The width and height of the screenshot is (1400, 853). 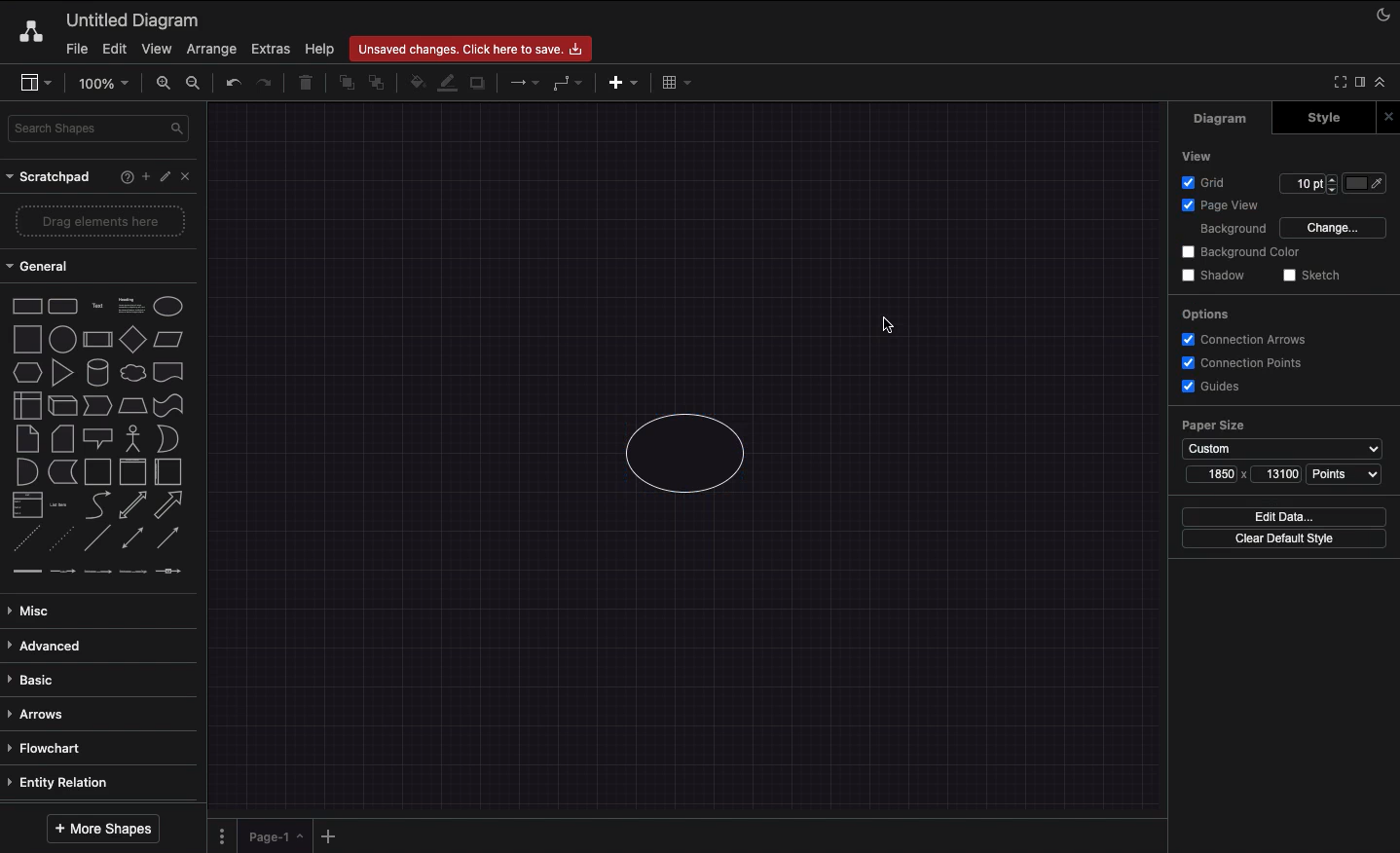 I want to click on Drag elements here, so click(x=103, y=221).